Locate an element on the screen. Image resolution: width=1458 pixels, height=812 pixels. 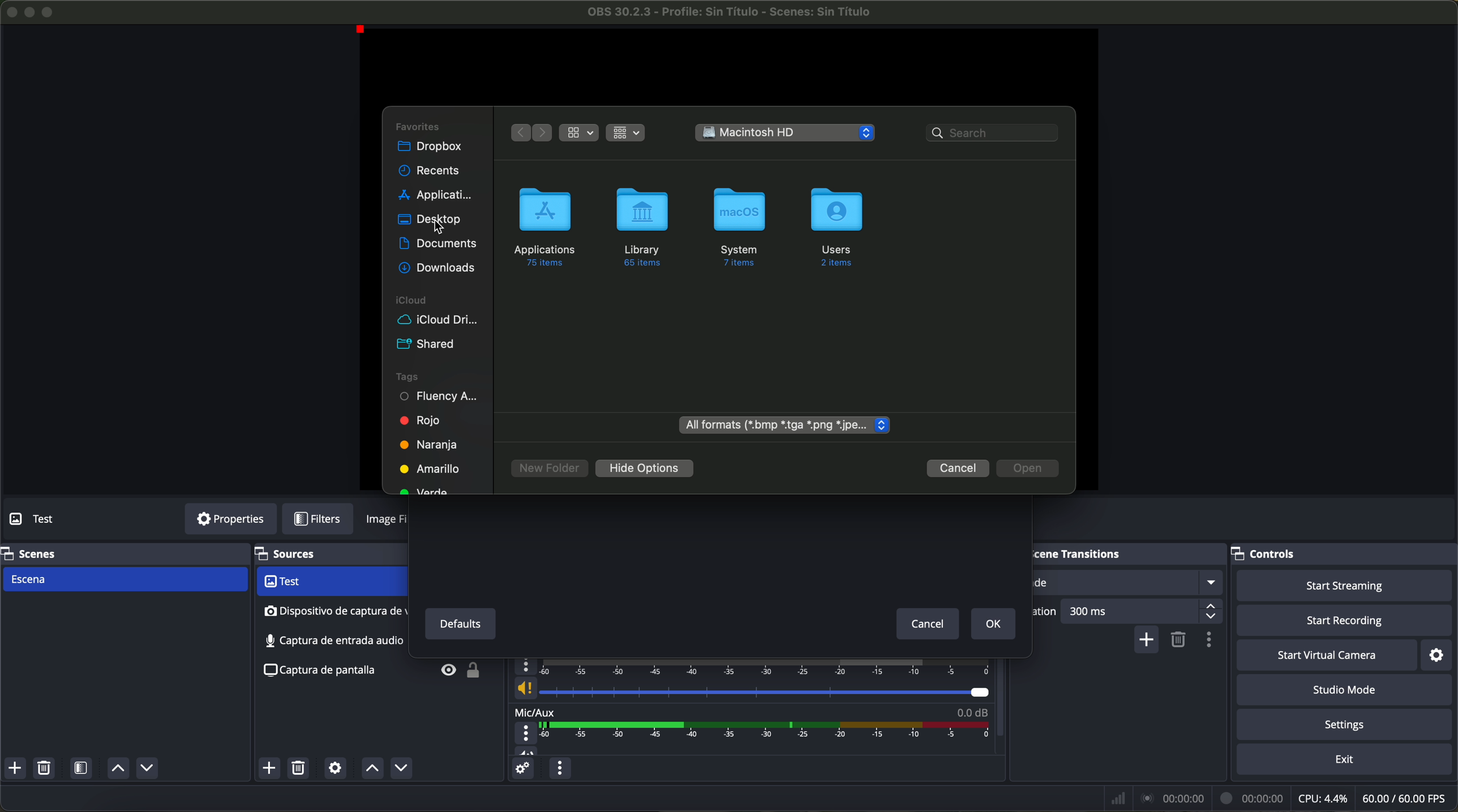
remove selected source is located at coordinates (301, 768).